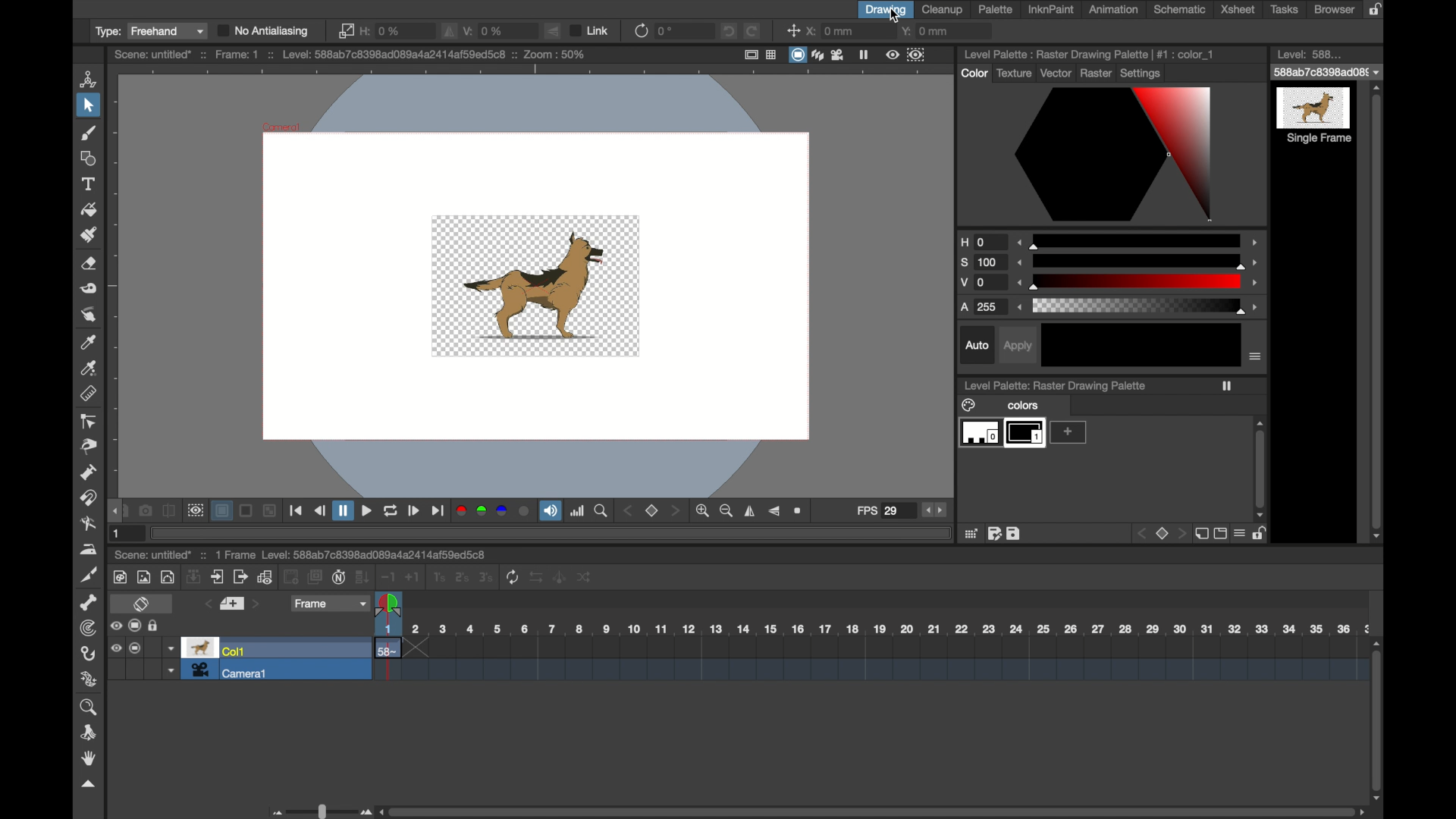 The width and height of the screenshot is (1456, 819). I want to click on more tools, so click(352, 576).